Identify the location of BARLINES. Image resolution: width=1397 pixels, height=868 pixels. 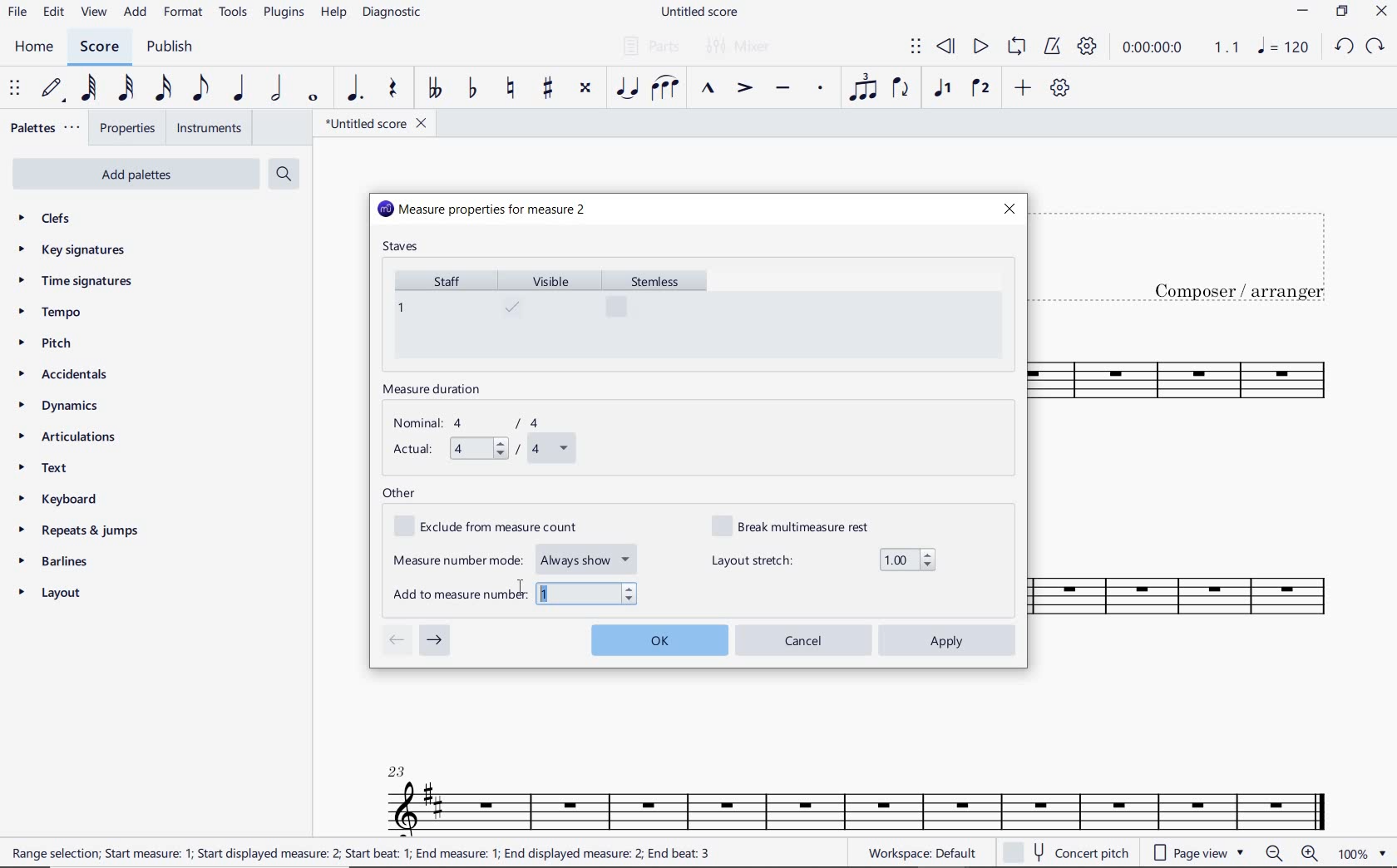
(59, 565).